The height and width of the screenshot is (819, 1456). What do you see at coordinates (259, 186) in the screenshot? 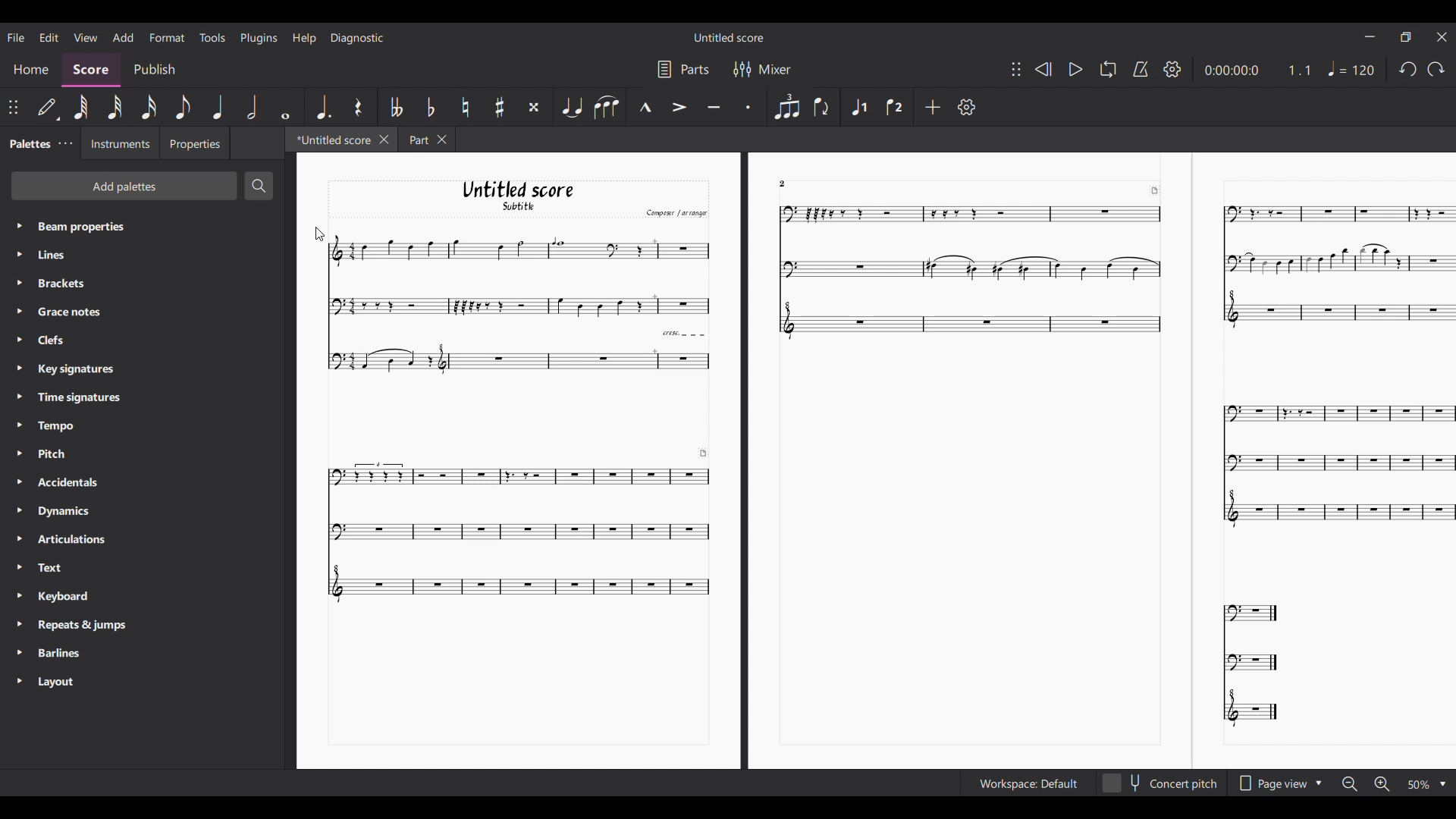
I see `Search` at bounding box center [259, 186].